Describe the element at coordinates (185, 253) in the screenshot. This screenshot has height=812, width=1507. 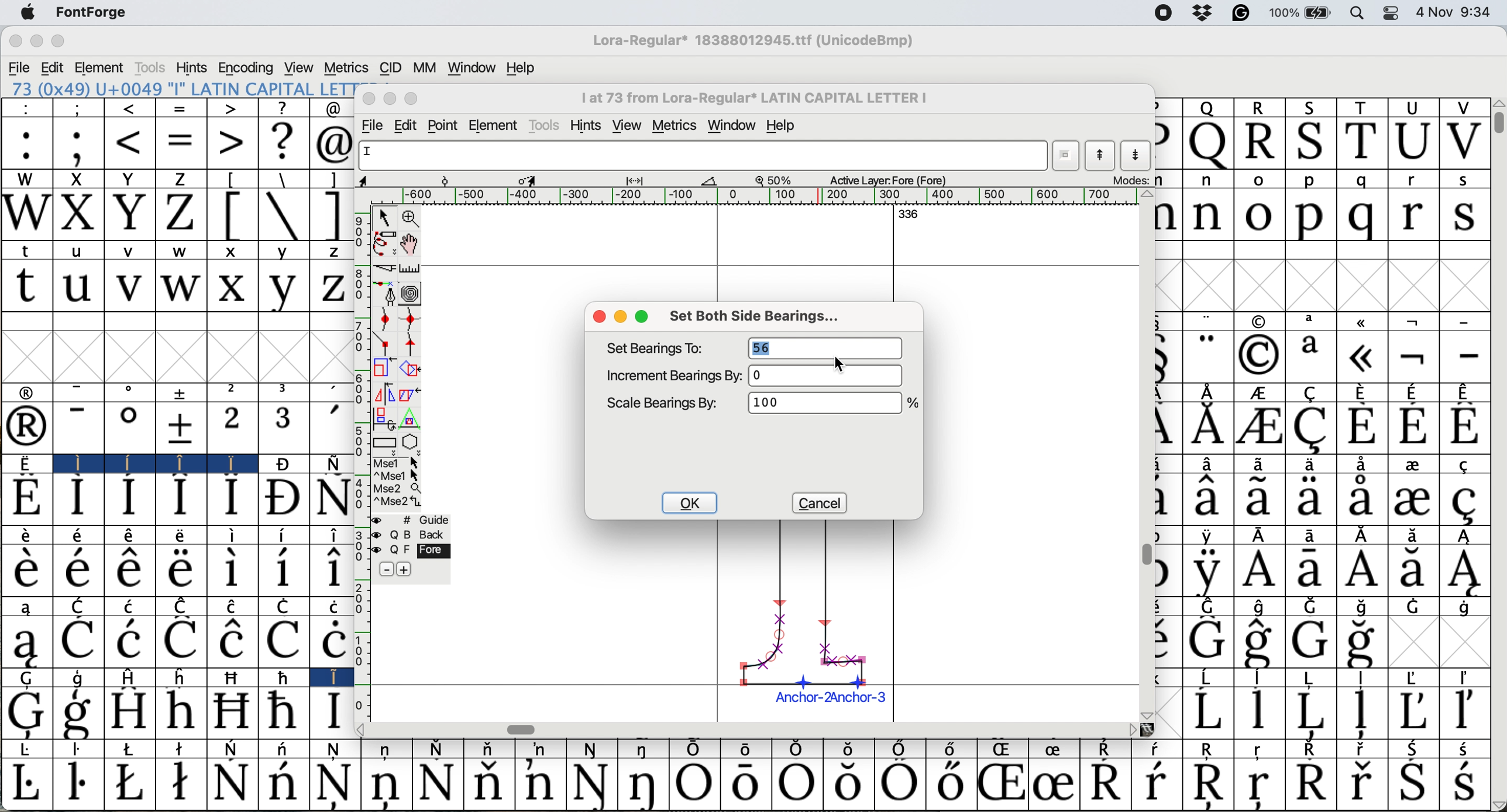
I see `w` at that location.